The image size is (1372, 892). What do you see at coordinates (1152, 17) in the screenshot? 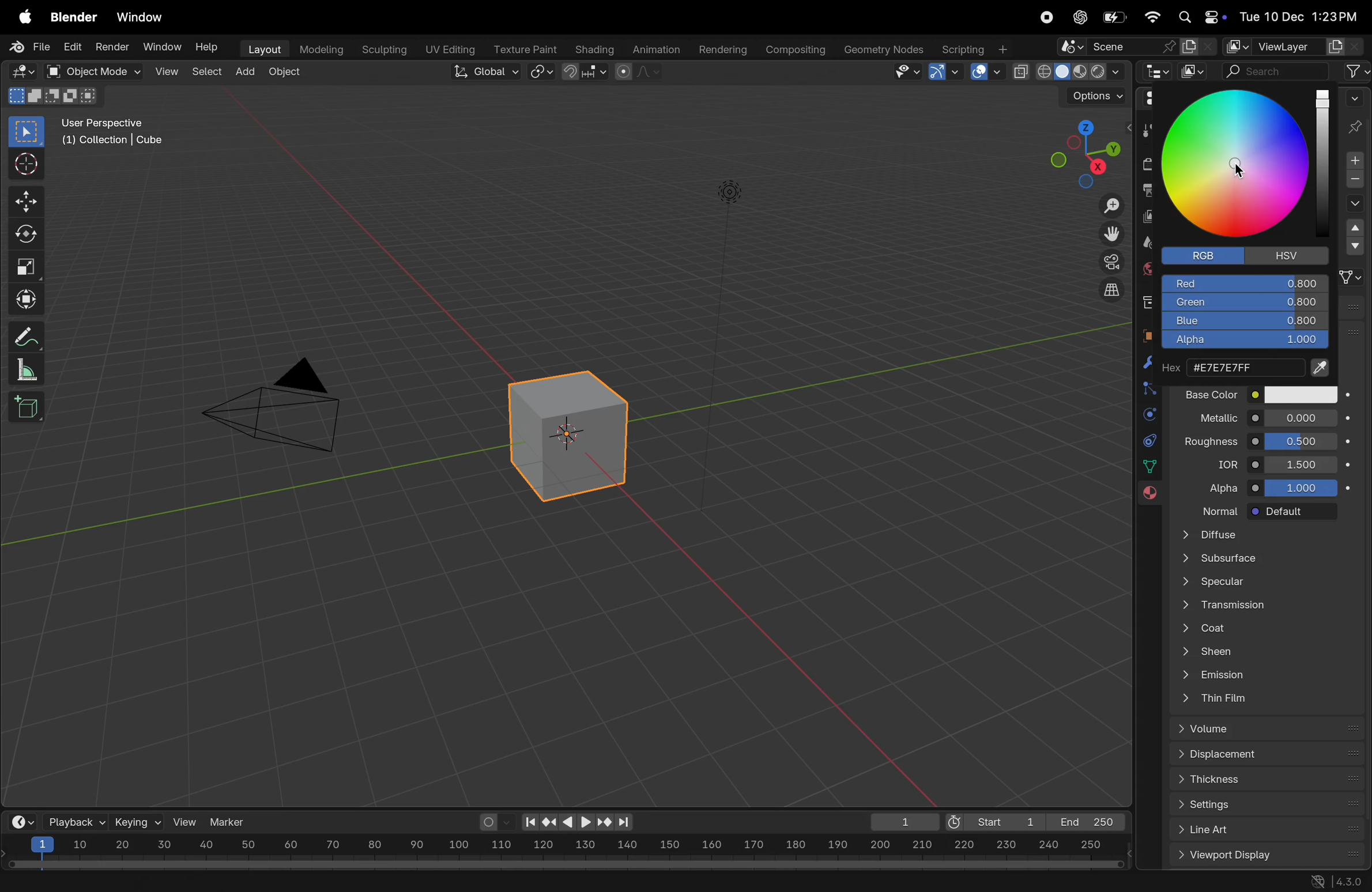
I see `wifi` at bounding box center [1152, 17].